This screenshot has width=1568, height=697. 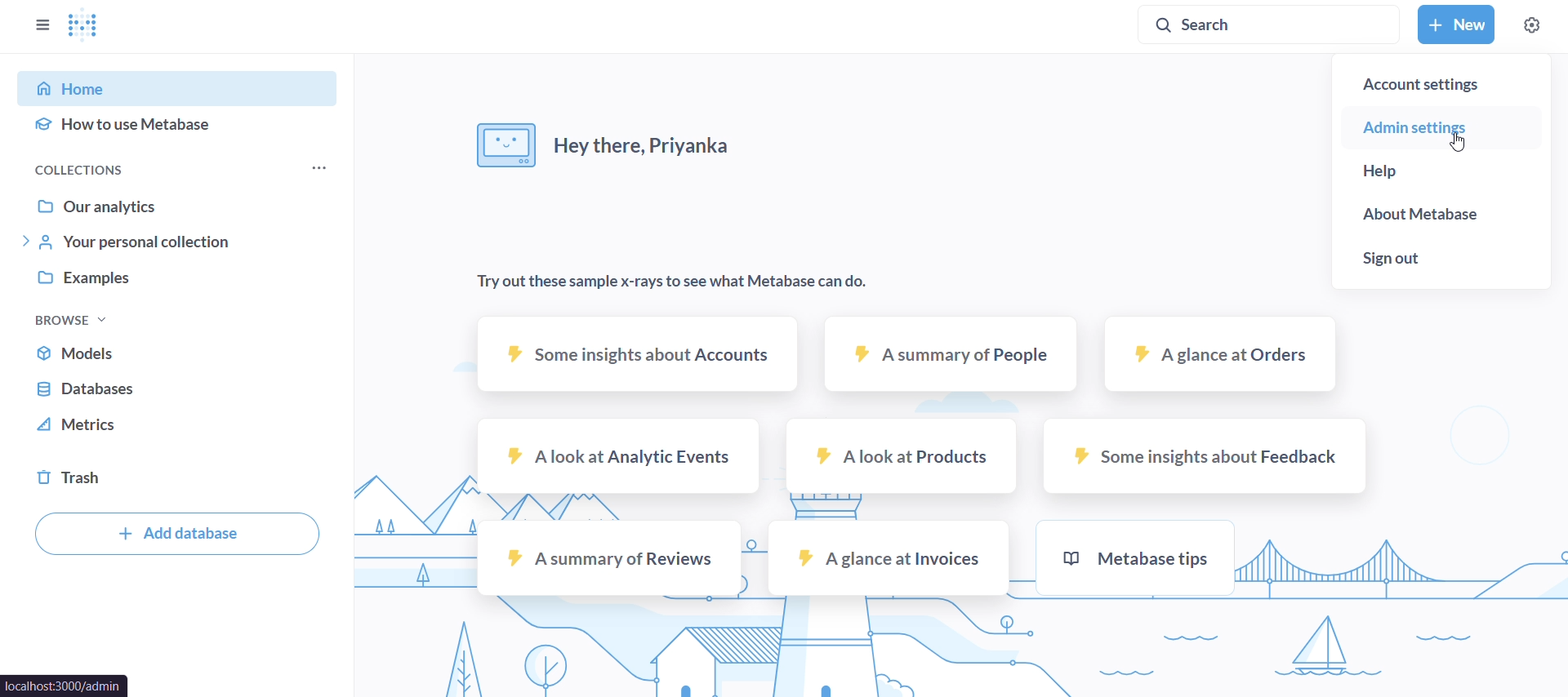 I want to click on a summary of people, so click(x=953, y=357).